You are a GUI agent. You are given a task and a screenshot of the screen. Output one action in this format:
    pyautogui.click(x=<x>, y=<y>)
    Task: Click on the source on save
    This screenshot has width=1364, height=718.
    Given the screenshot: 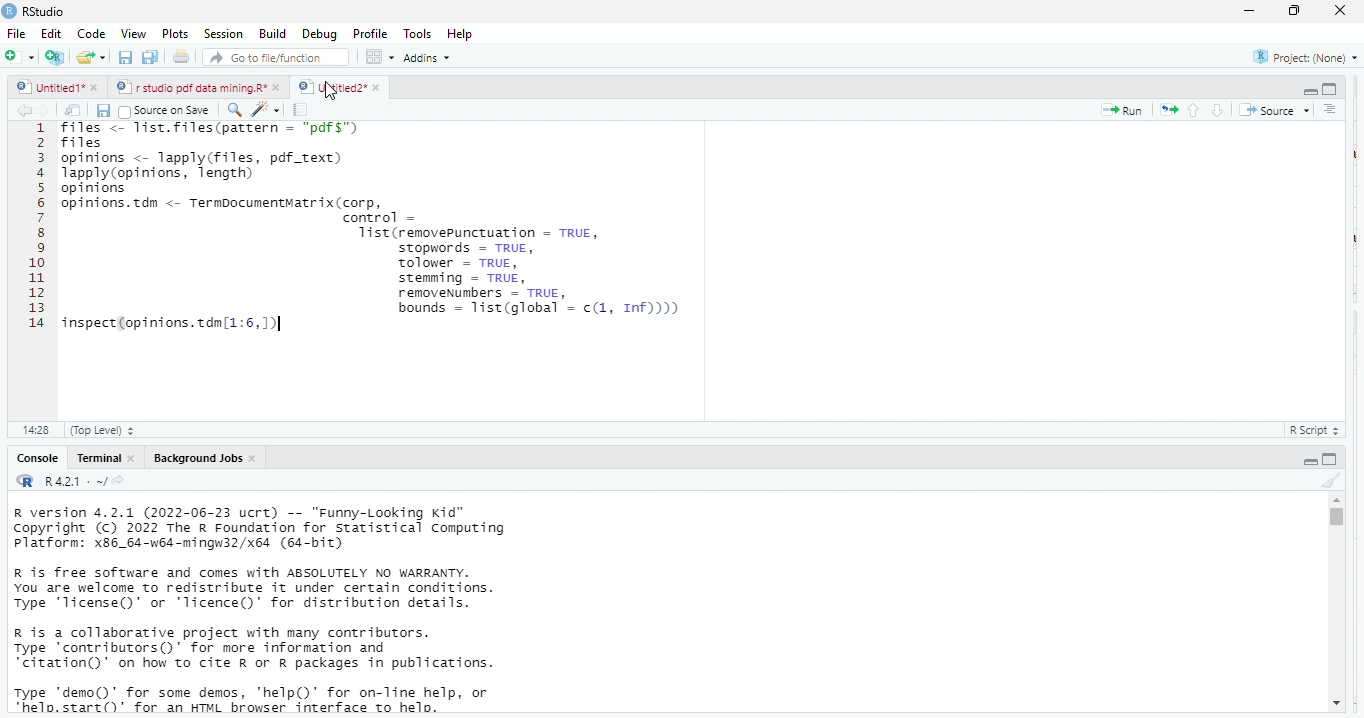 What is the action you would take?
    pyautogui.click(x=168, y=110)
    